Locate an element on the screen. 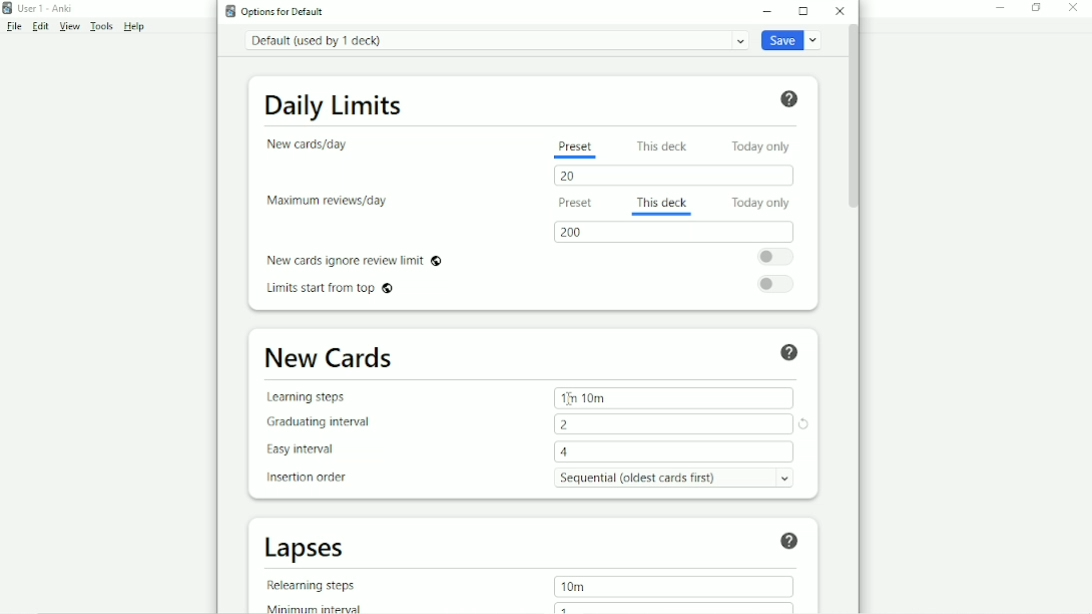  4 is located at coordinates (564, 452).